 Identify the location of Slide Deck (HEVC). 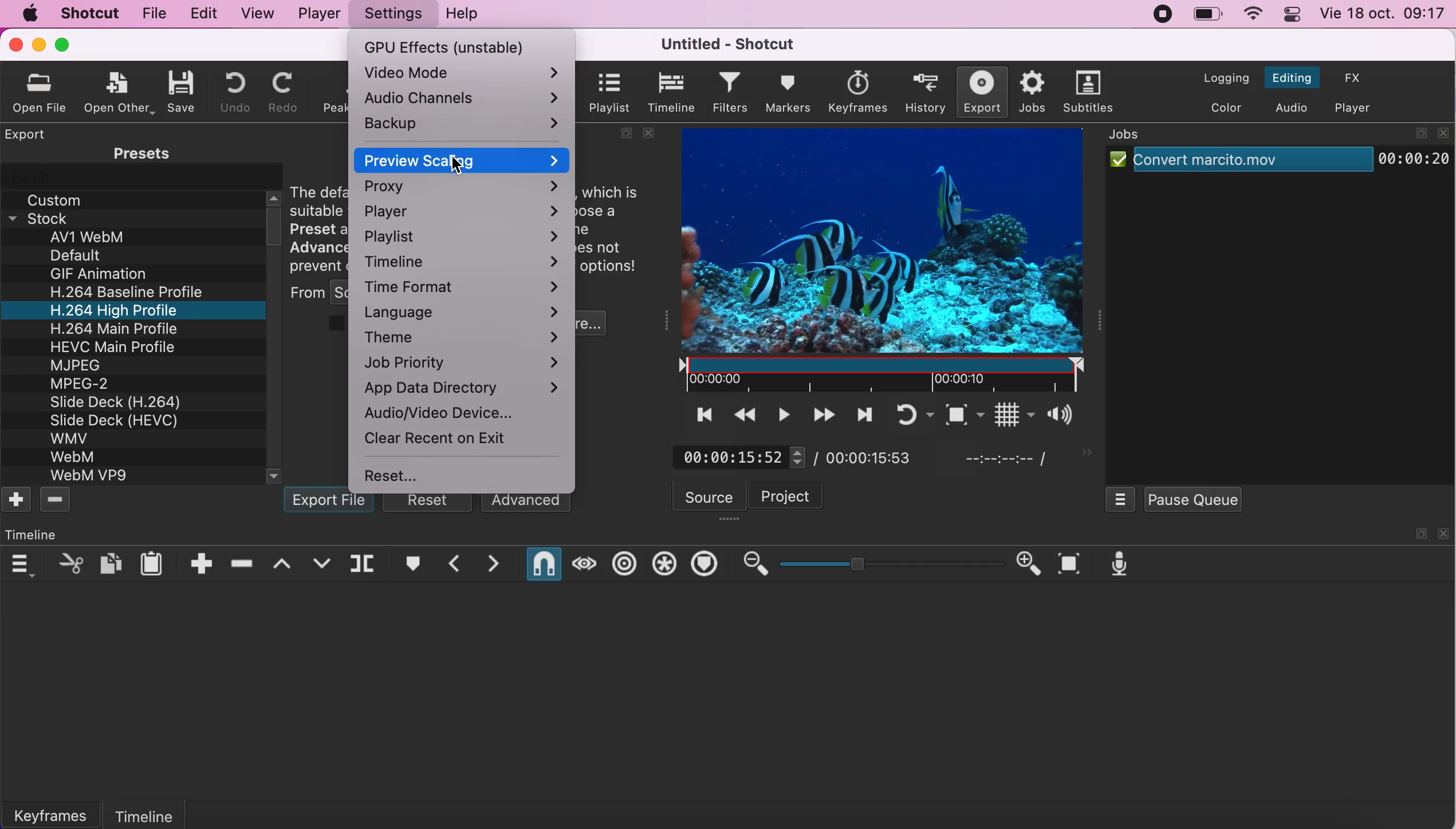
(121, 419).